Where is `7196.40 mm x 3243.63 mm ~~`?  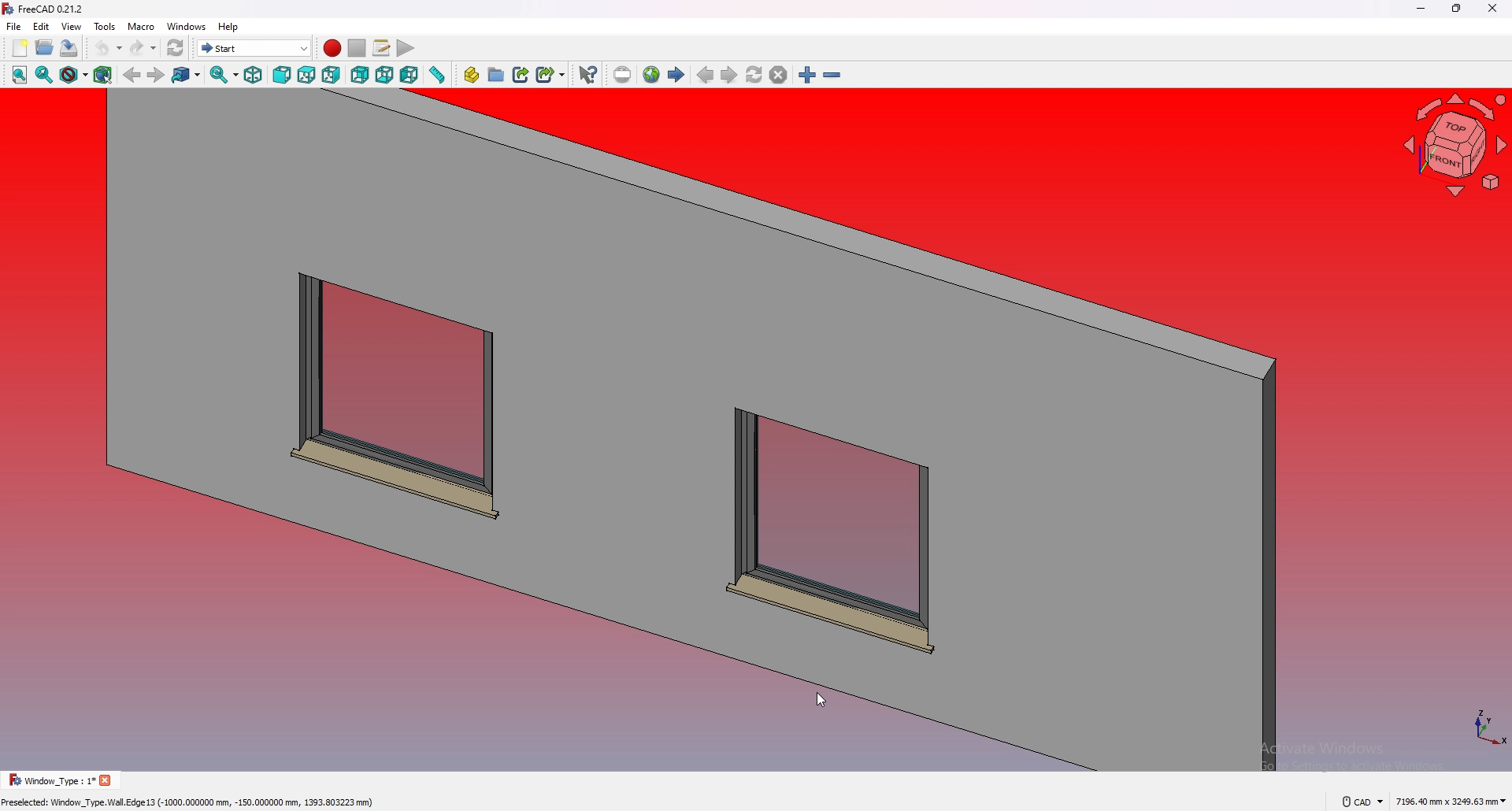 7196.40 mm x 3243.63 mm ~~ is located at coordinates (1451, 800).